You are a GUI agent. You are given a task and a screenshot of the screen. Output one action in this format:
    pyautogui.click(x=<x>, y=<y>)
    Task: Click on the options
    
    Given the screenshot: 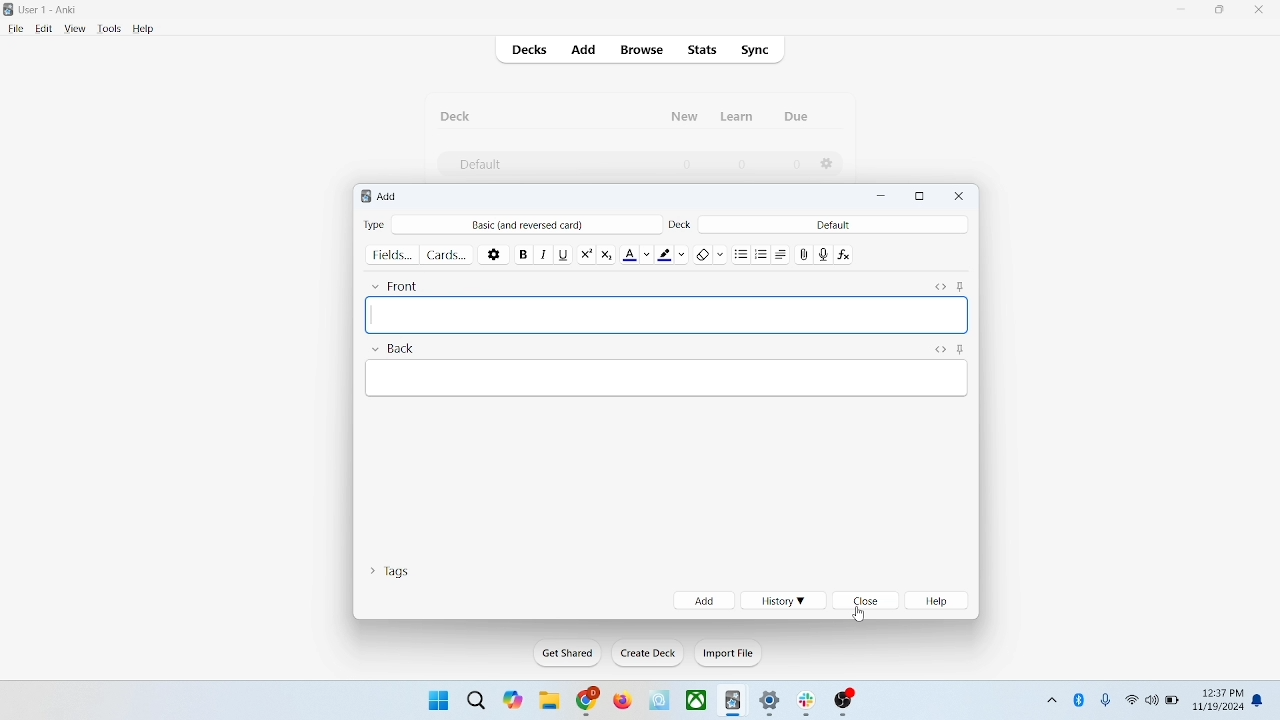 What is the action you would take?
    pyautogui.click(x=828, y=164)
    